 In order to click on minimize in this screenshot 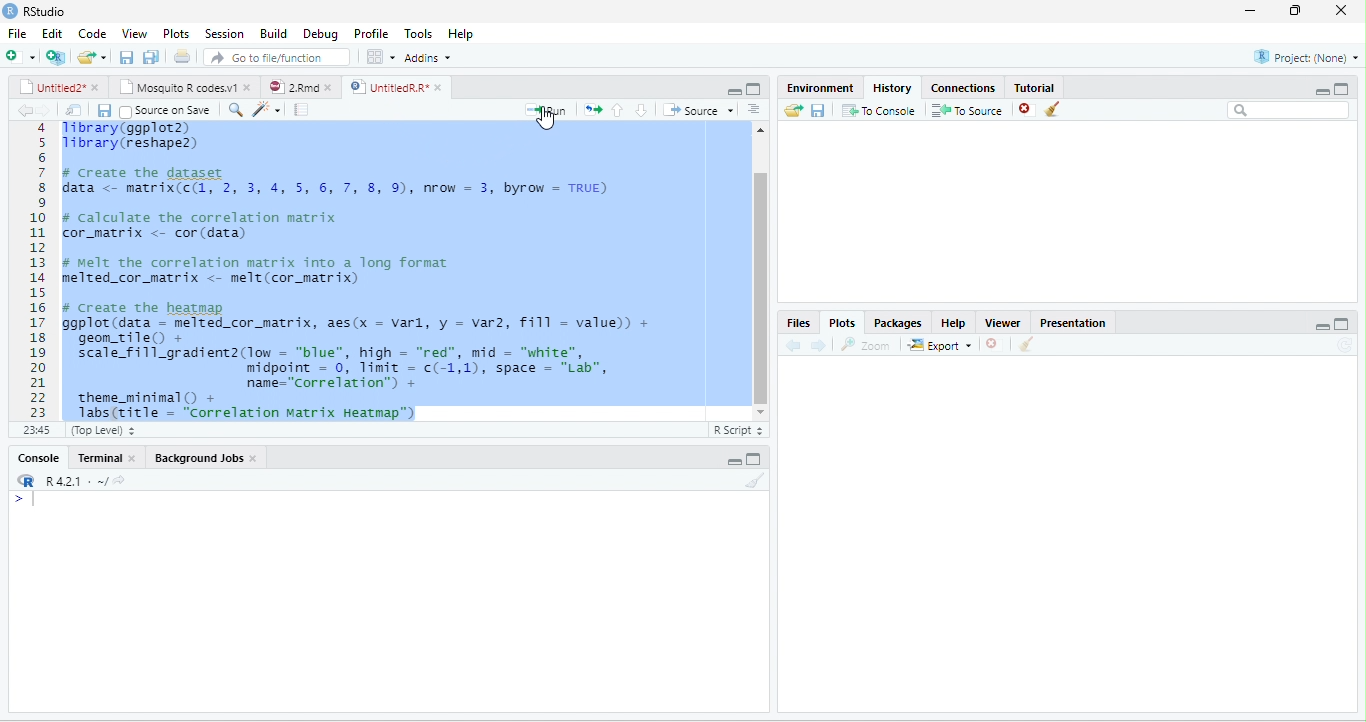, I will do `click(734, 460)`.